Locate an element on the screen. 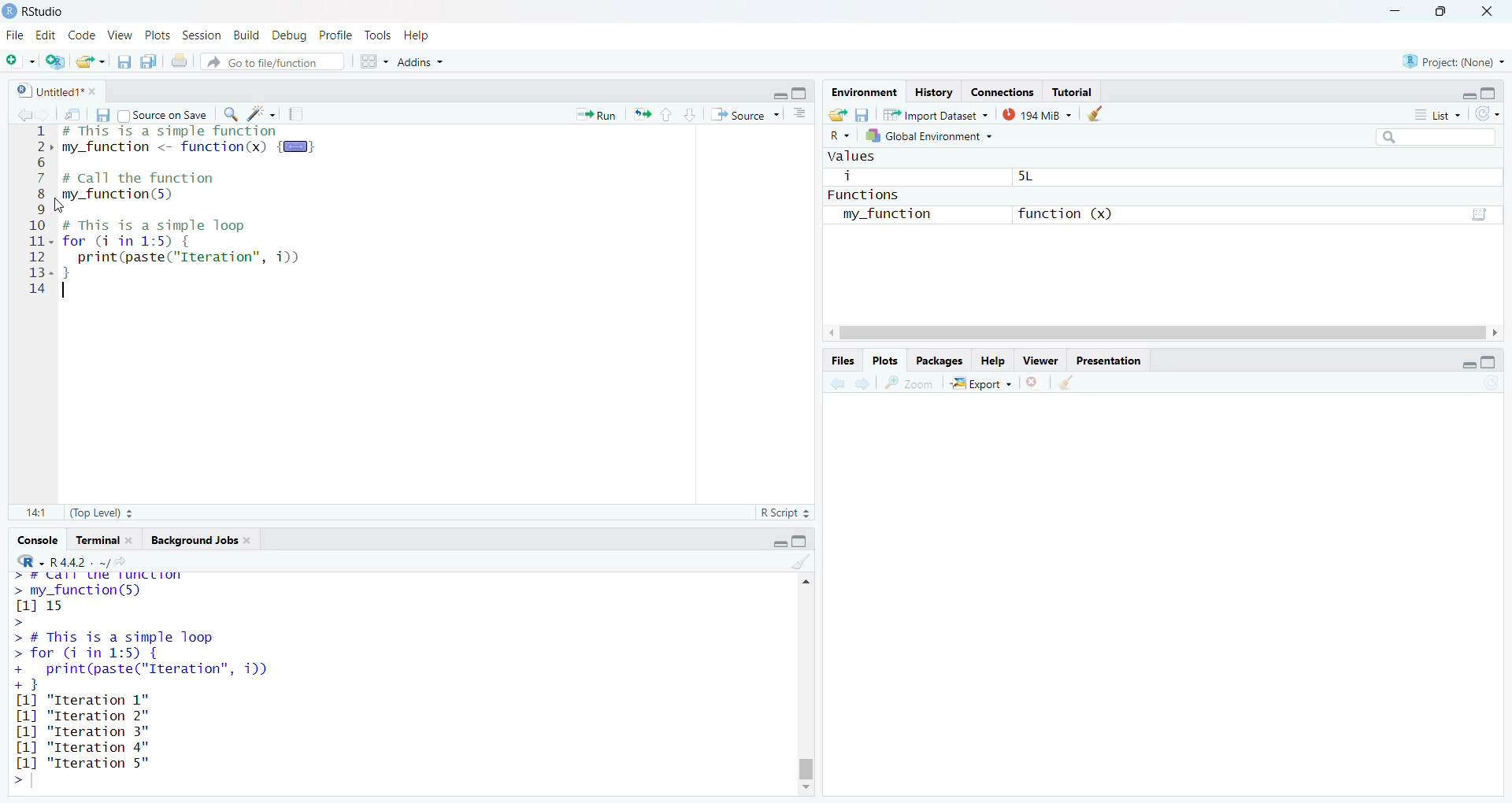  move left is located at coordinates (833, 333).